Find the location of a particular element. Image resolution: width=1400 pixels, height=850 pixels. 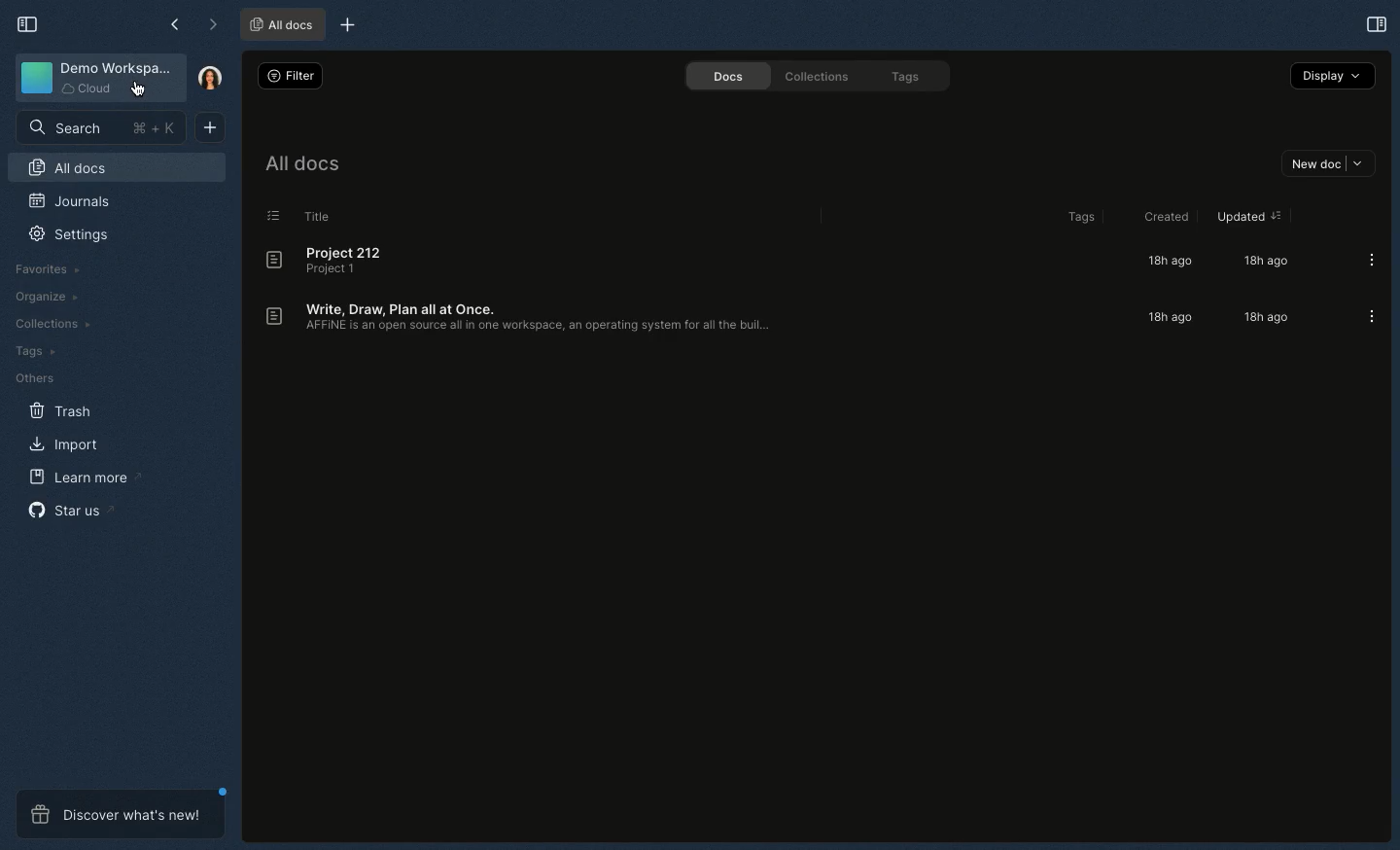

Project 212 is located at coordinates (328, 266).